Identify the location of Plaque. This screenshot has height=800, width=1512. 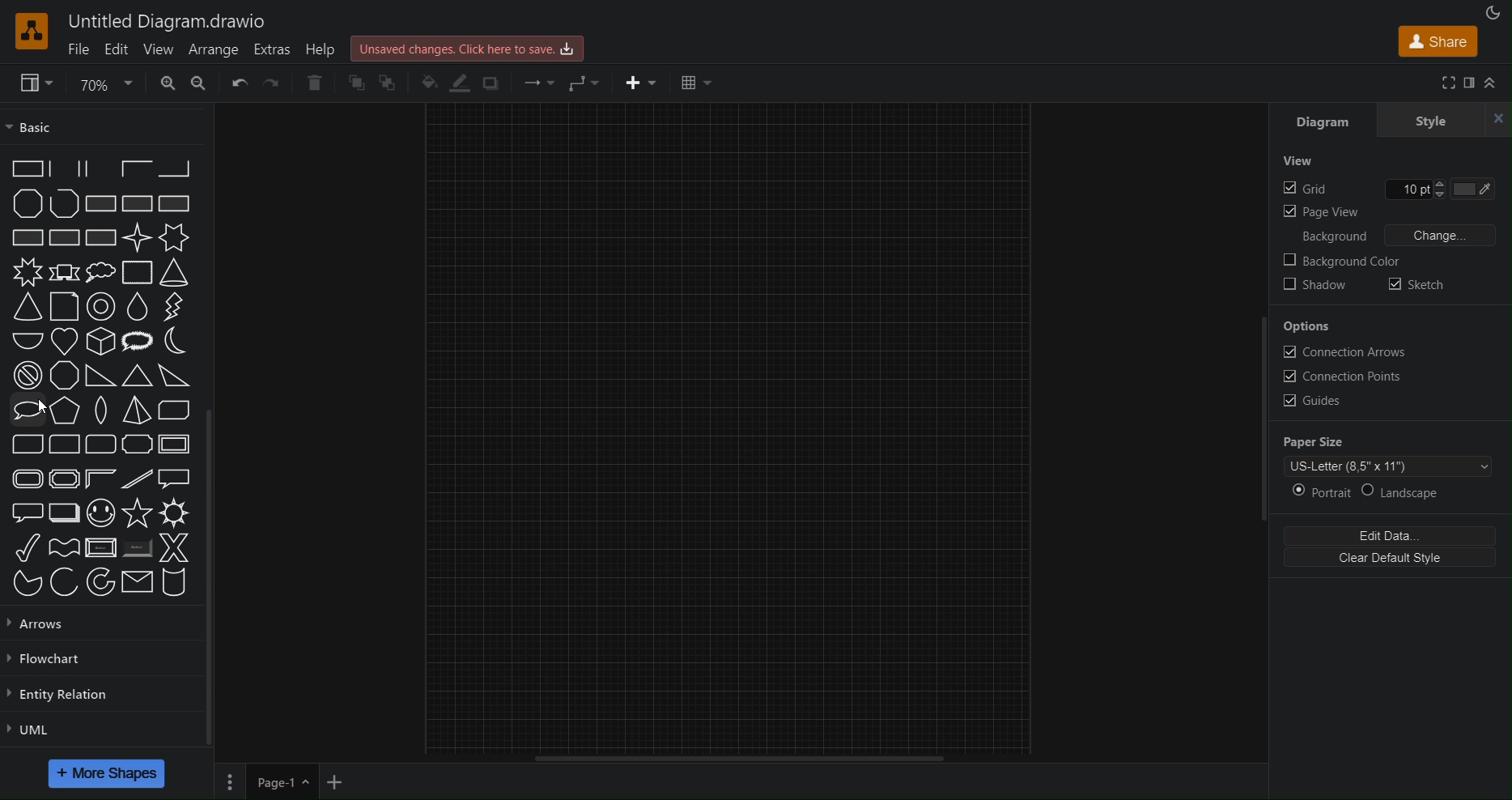
(138, 445).